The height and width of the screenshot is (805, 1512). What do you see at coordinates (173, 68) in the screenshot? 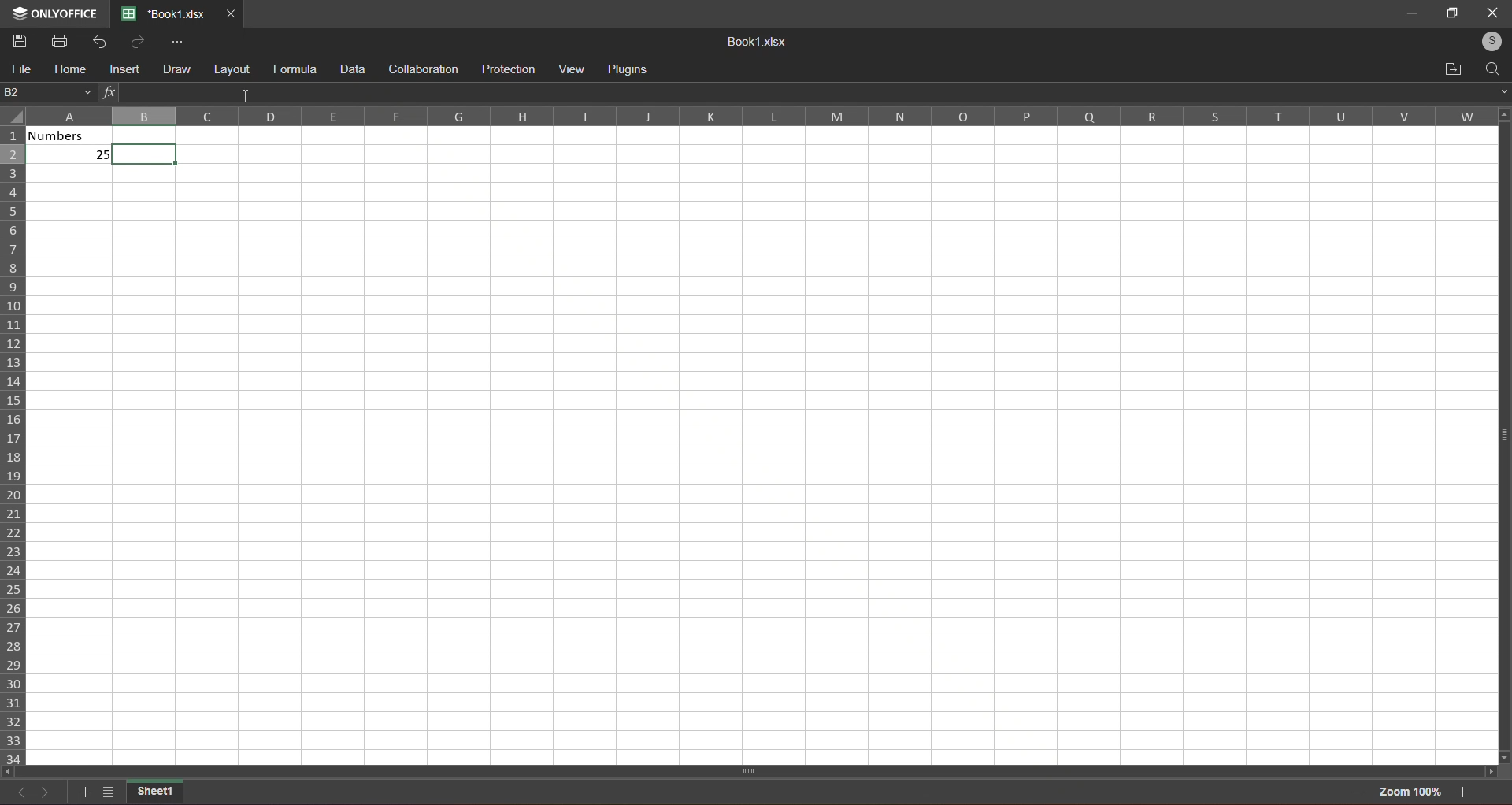
I see `draw` at bounding box center [173, 68].